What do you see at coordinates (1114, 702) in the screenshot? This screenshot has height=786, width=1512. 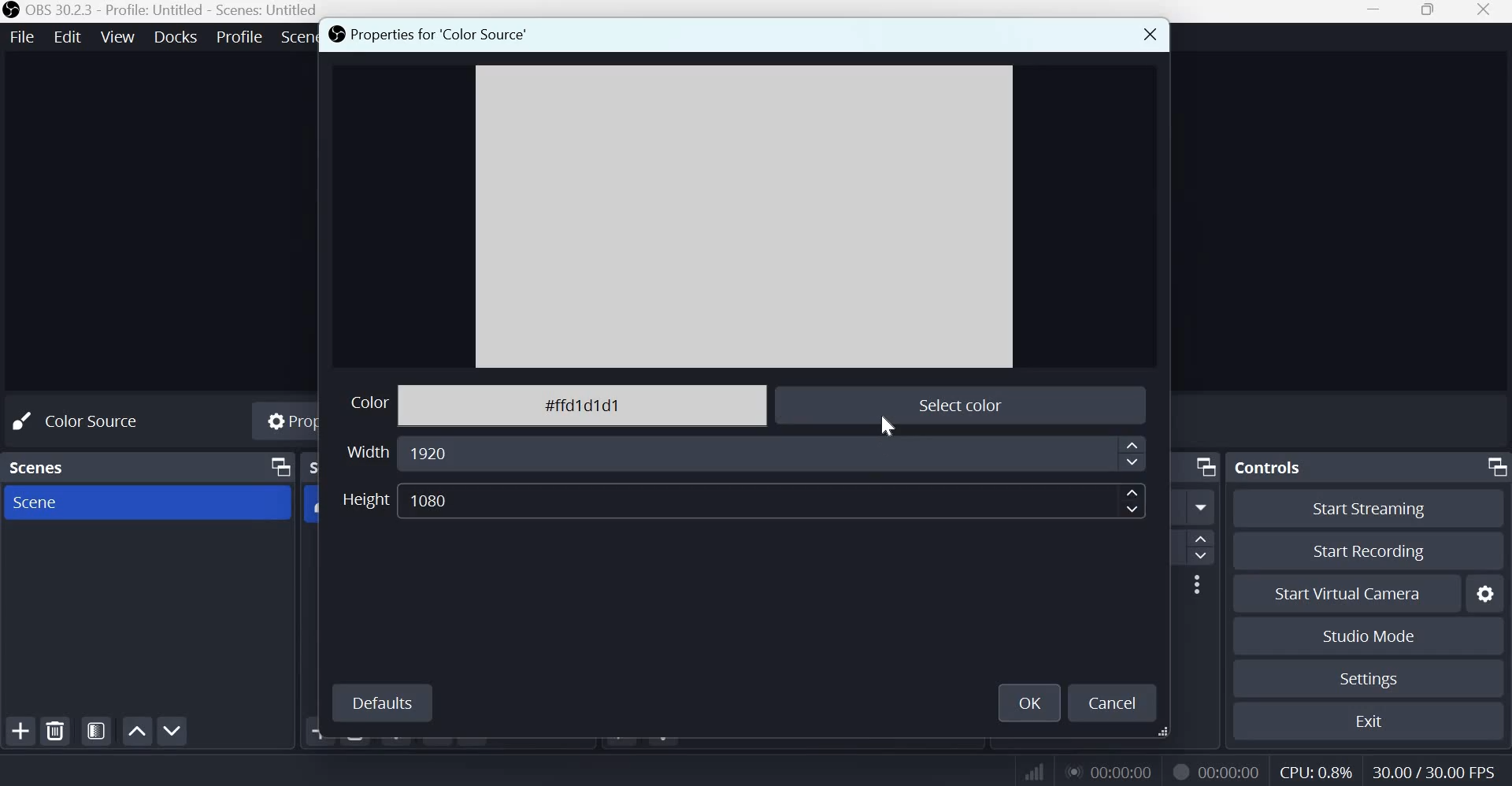 I see `cancel` at bounding box center [1114, 702].